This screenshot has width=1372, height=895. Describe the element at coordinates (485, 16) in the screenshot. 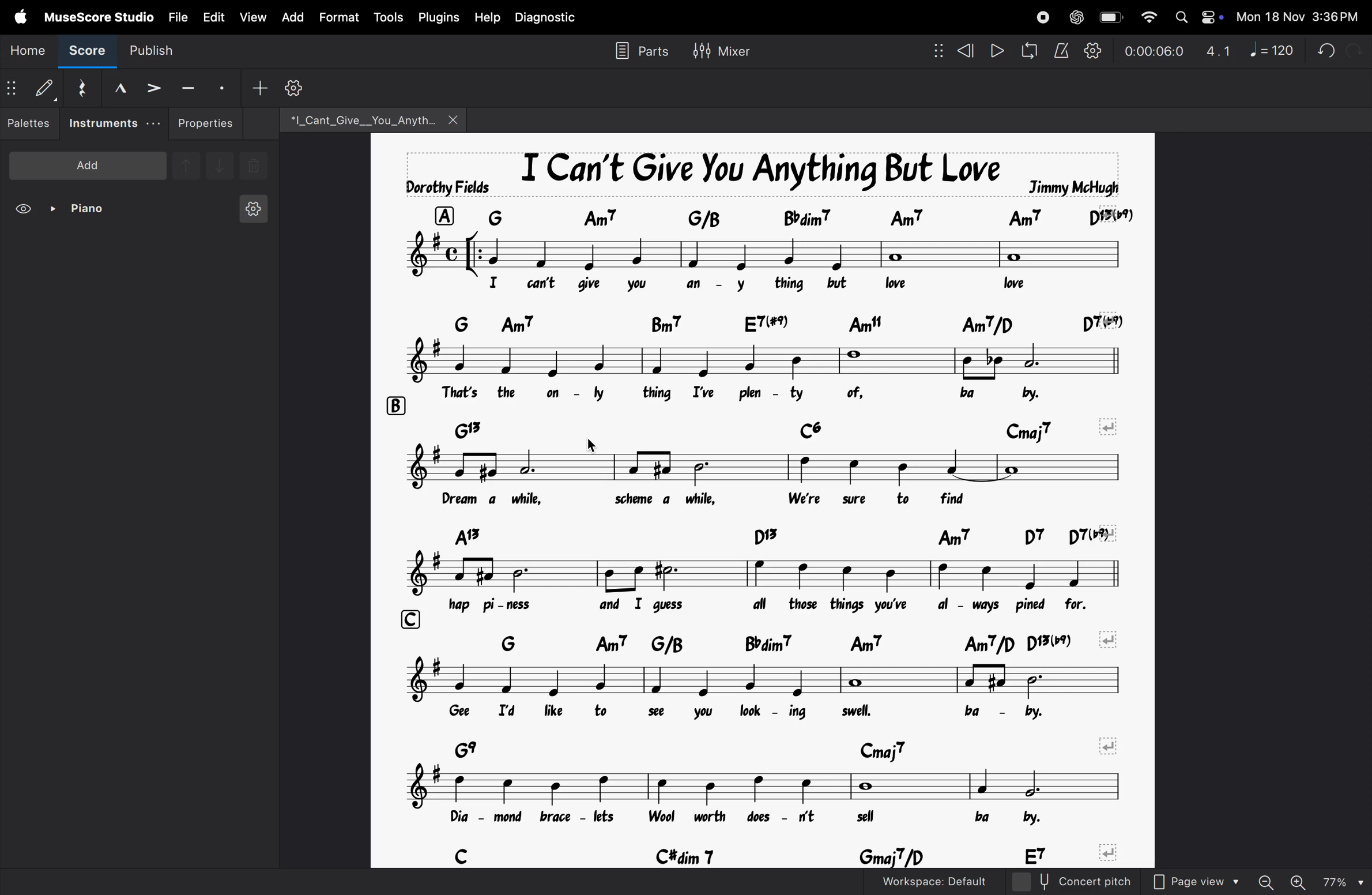

I see `help` at that location.